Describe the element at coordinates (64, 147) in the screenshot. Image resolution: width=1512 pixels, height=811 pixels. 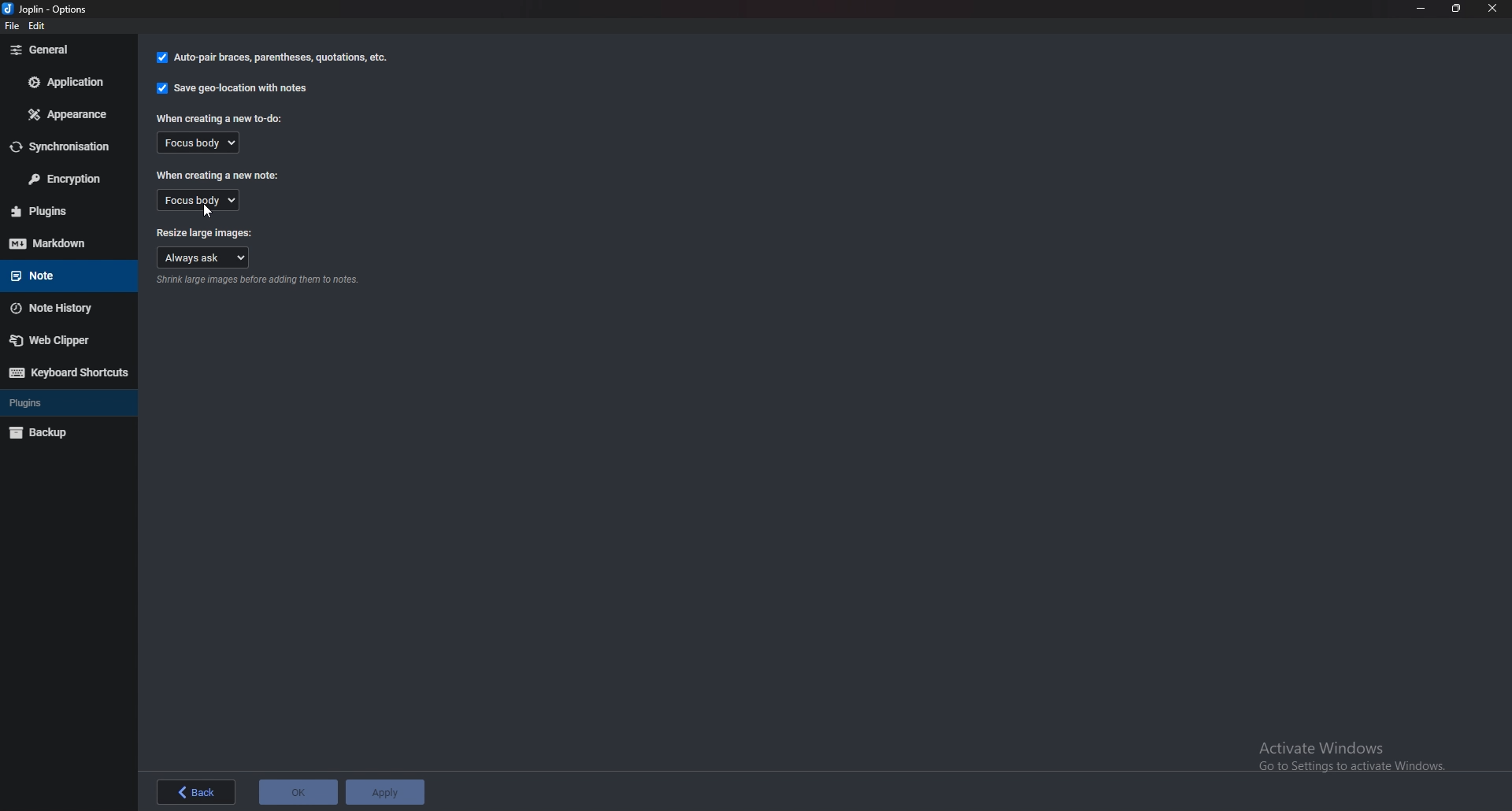
I see `Synchronization` at that location.